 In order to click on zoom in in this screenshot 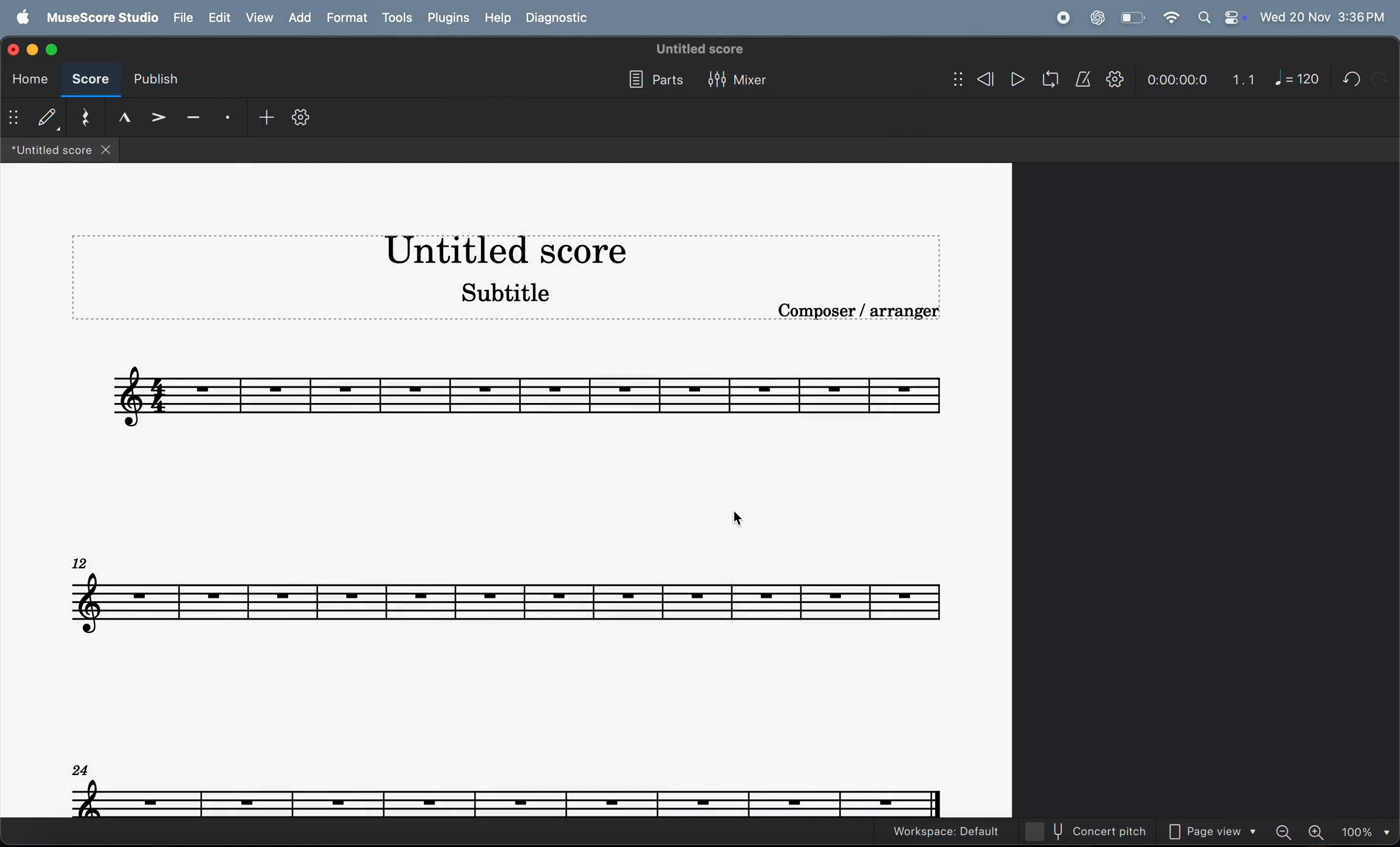, I will do `click(1318, 832)`.